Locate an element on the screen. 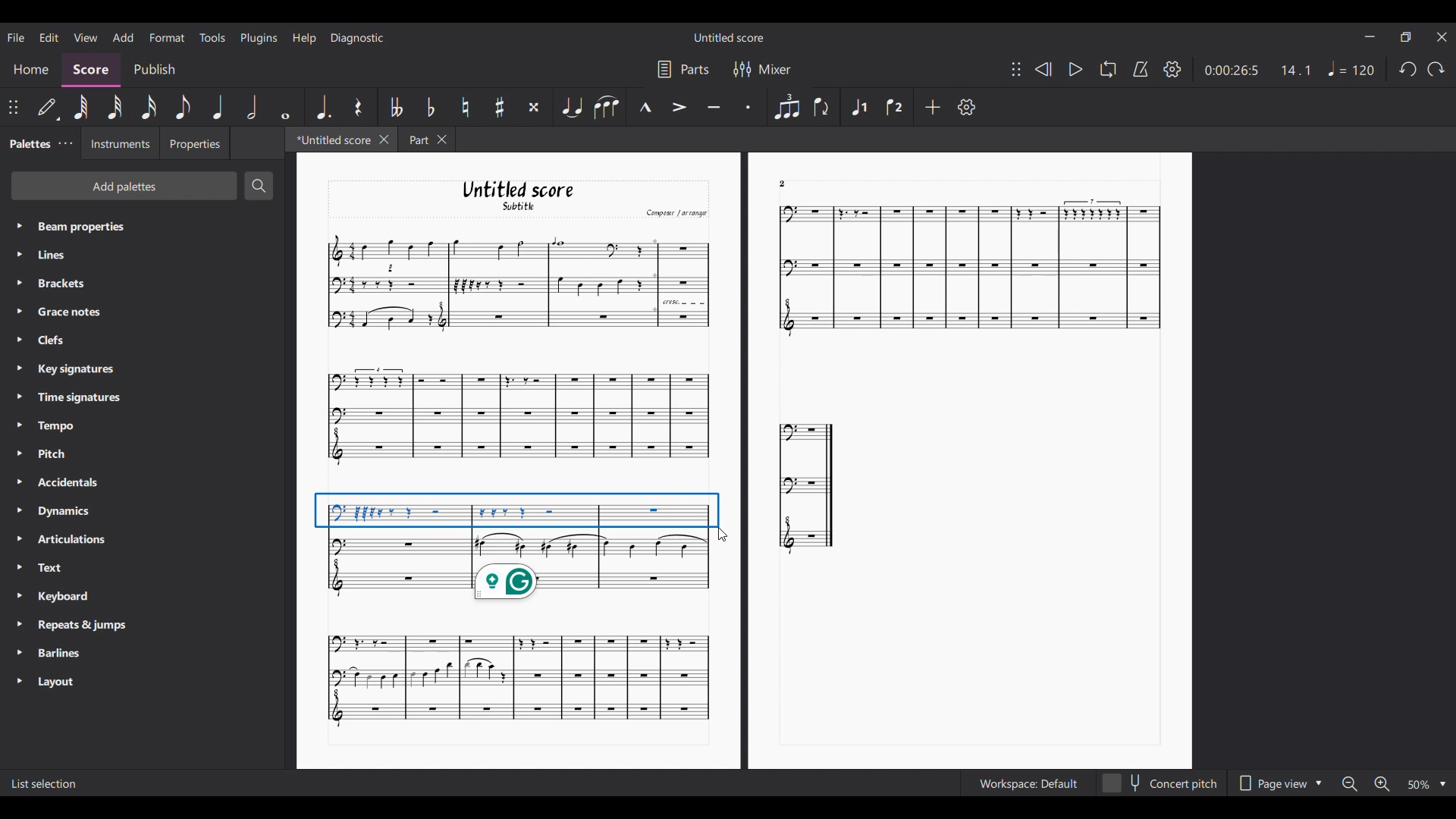 The image size is (1456, 819). Voice 1 is located at coordinates (858, 107).